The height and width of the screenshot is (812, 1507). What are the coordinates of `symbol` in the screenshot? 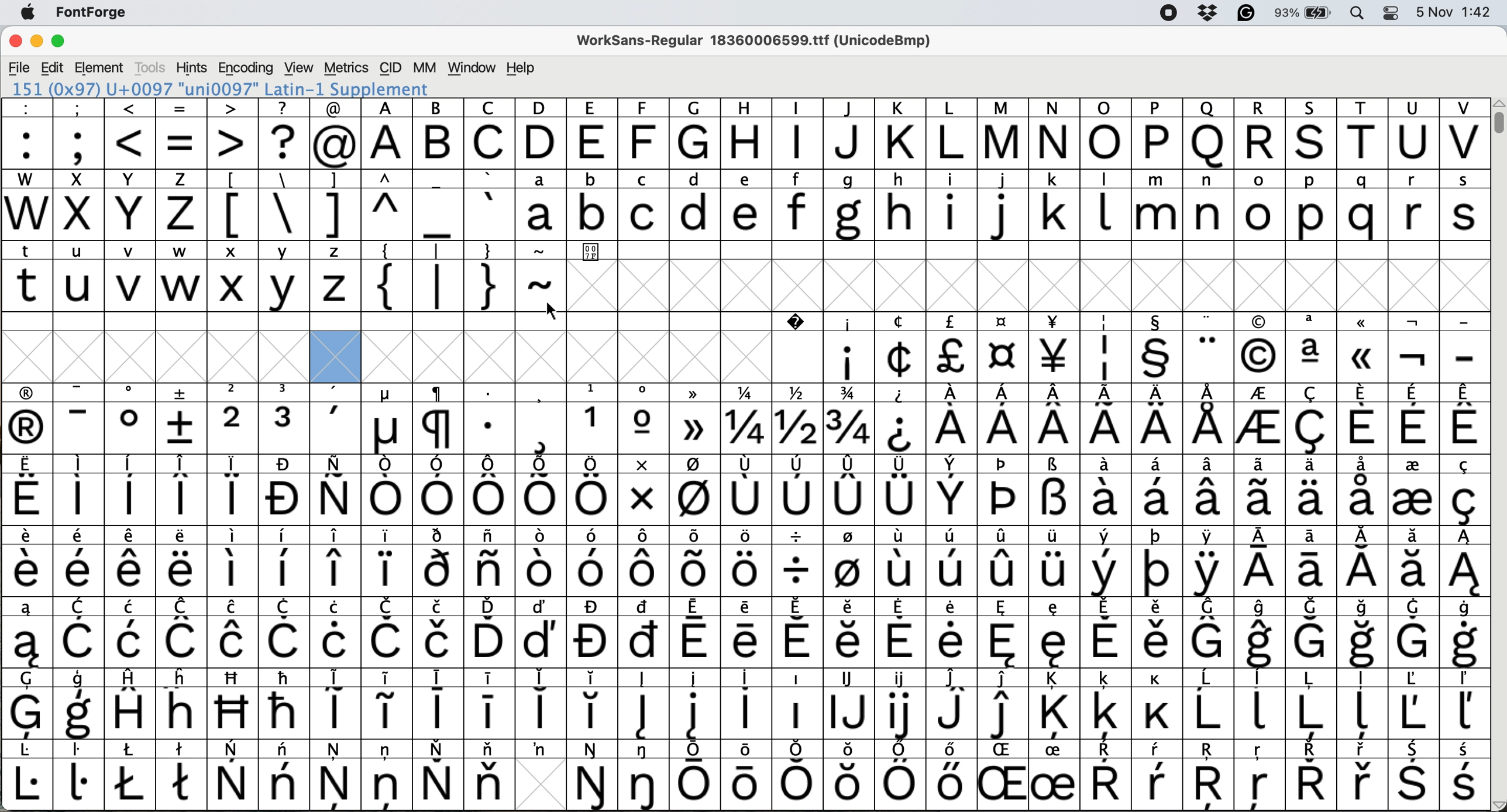 It's located at (1105, 776).